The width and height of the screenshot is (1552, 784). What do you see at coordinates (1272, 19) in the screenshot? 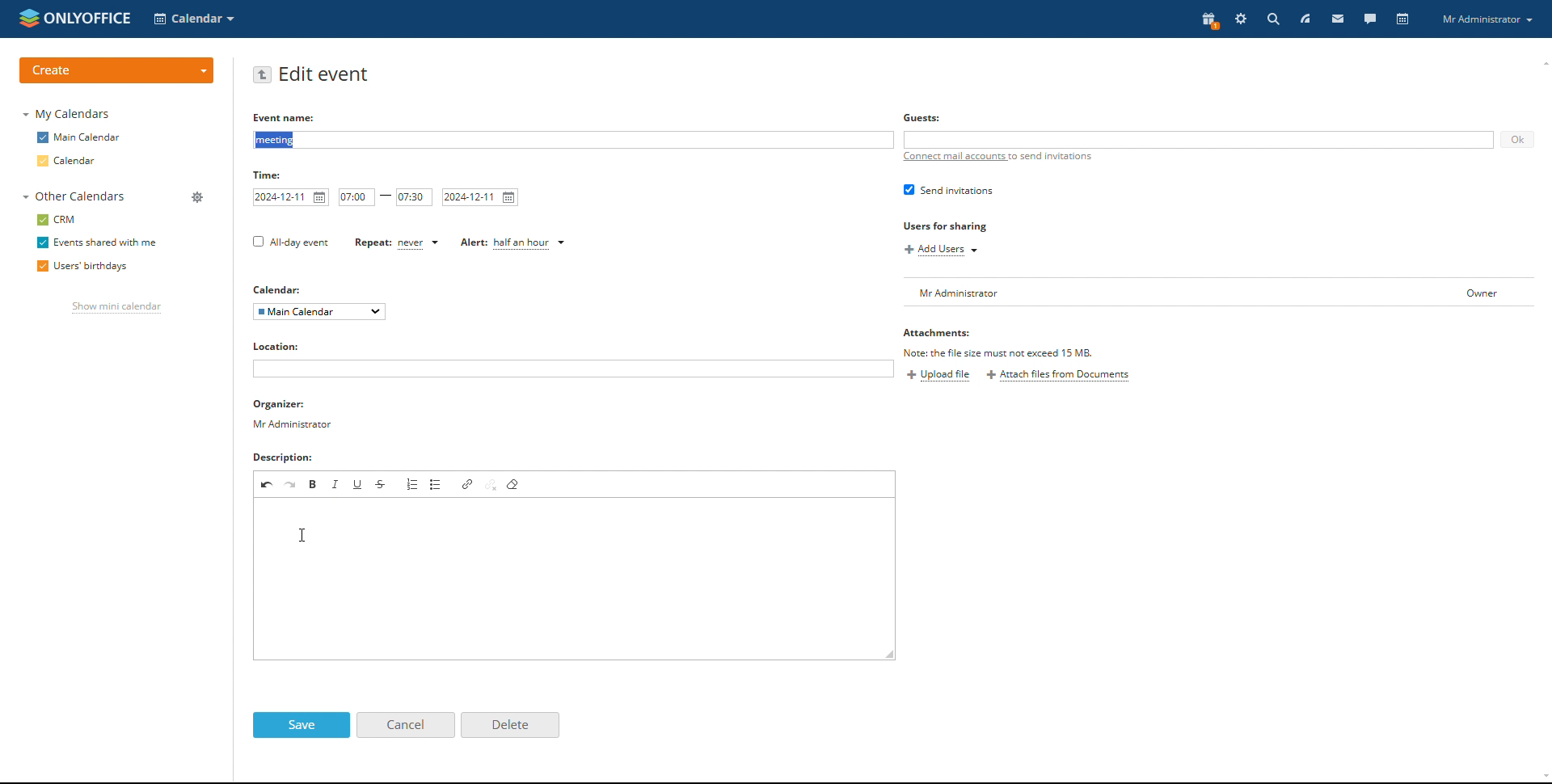
I see `search` at bounding box center [1272, 19].